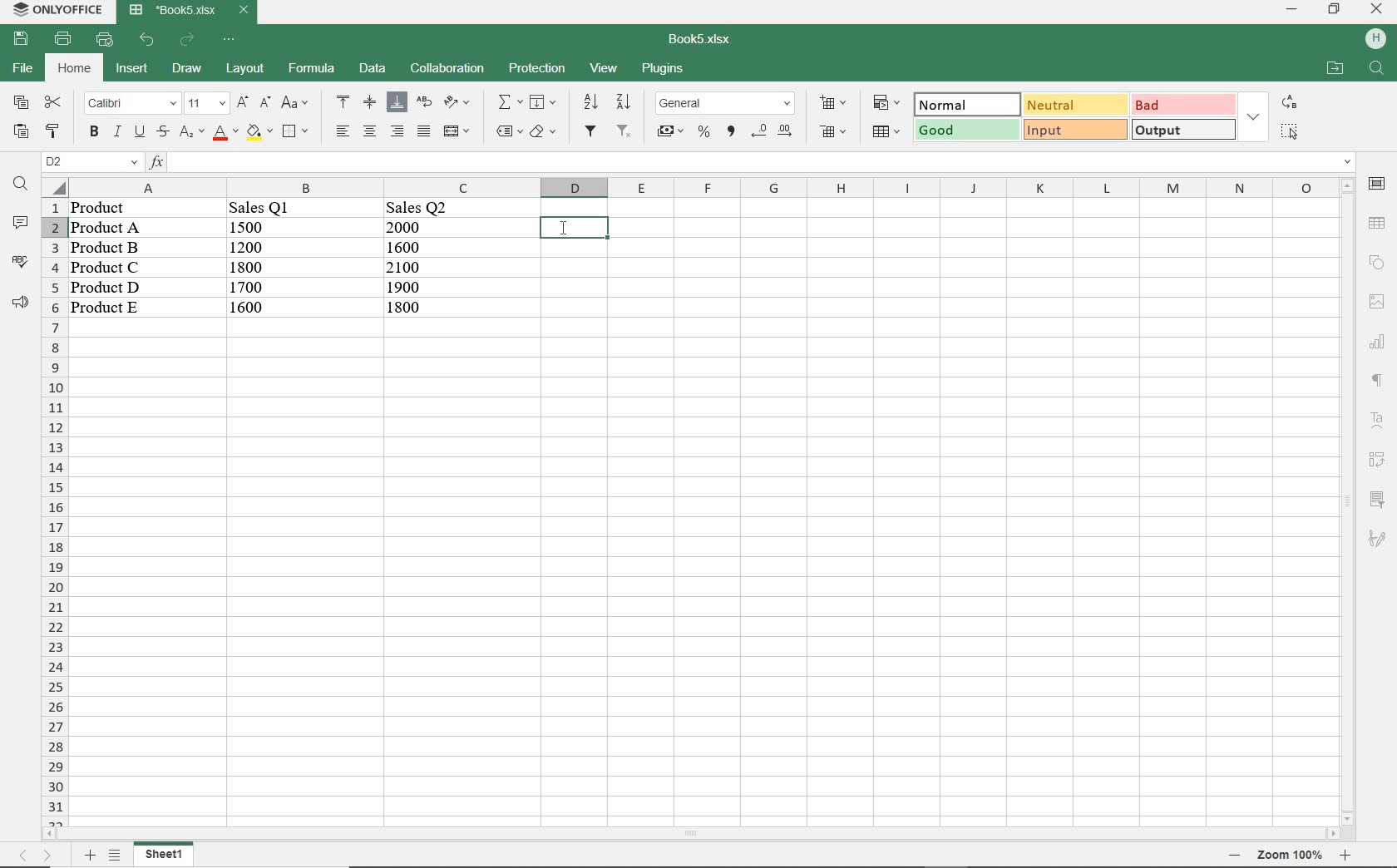 The height and width of the screenshot is (868, 1397). I want to click on print, so click(63, 40).